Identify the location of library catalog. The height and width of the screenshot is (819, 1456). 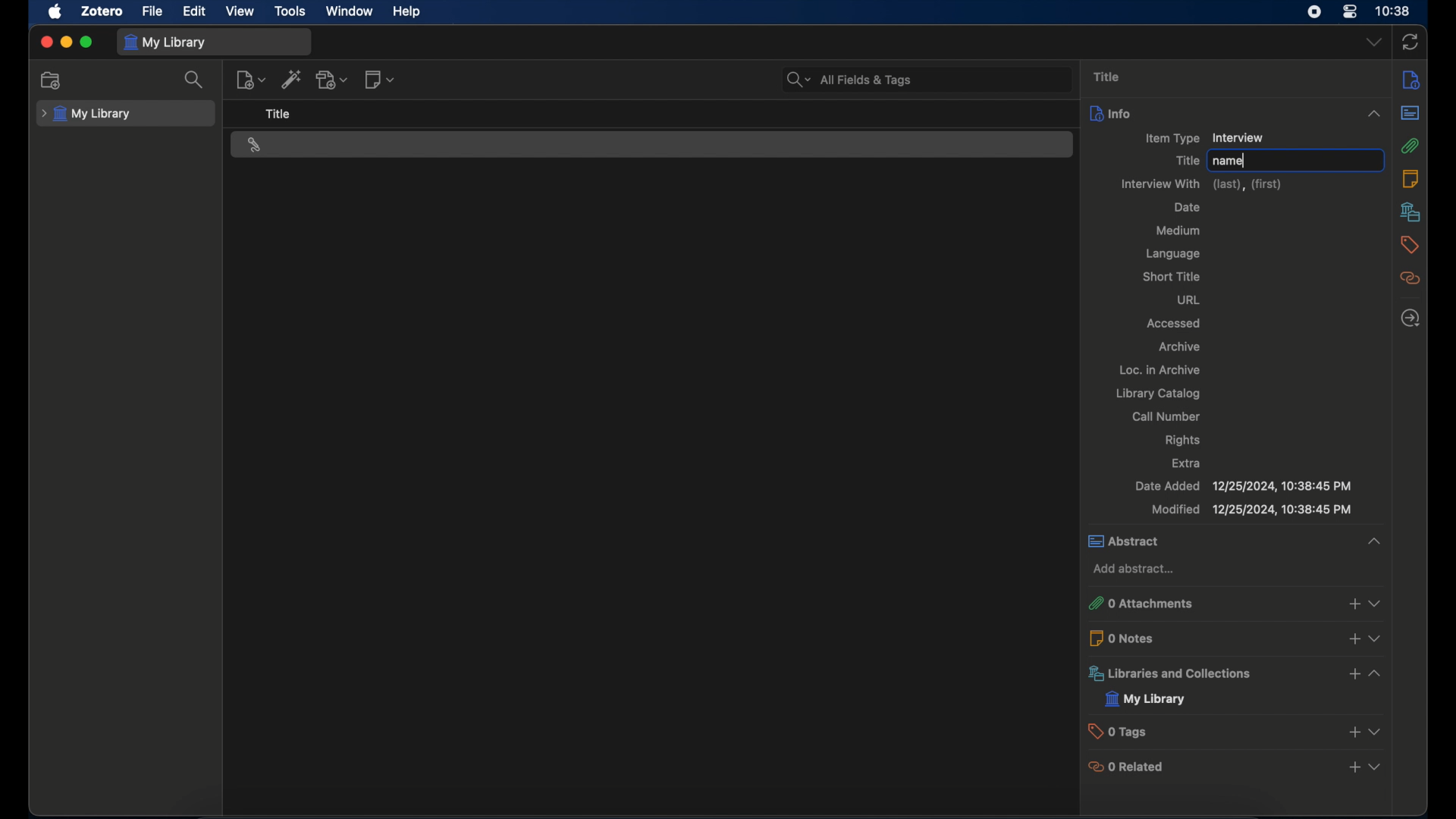
(1160, 394).